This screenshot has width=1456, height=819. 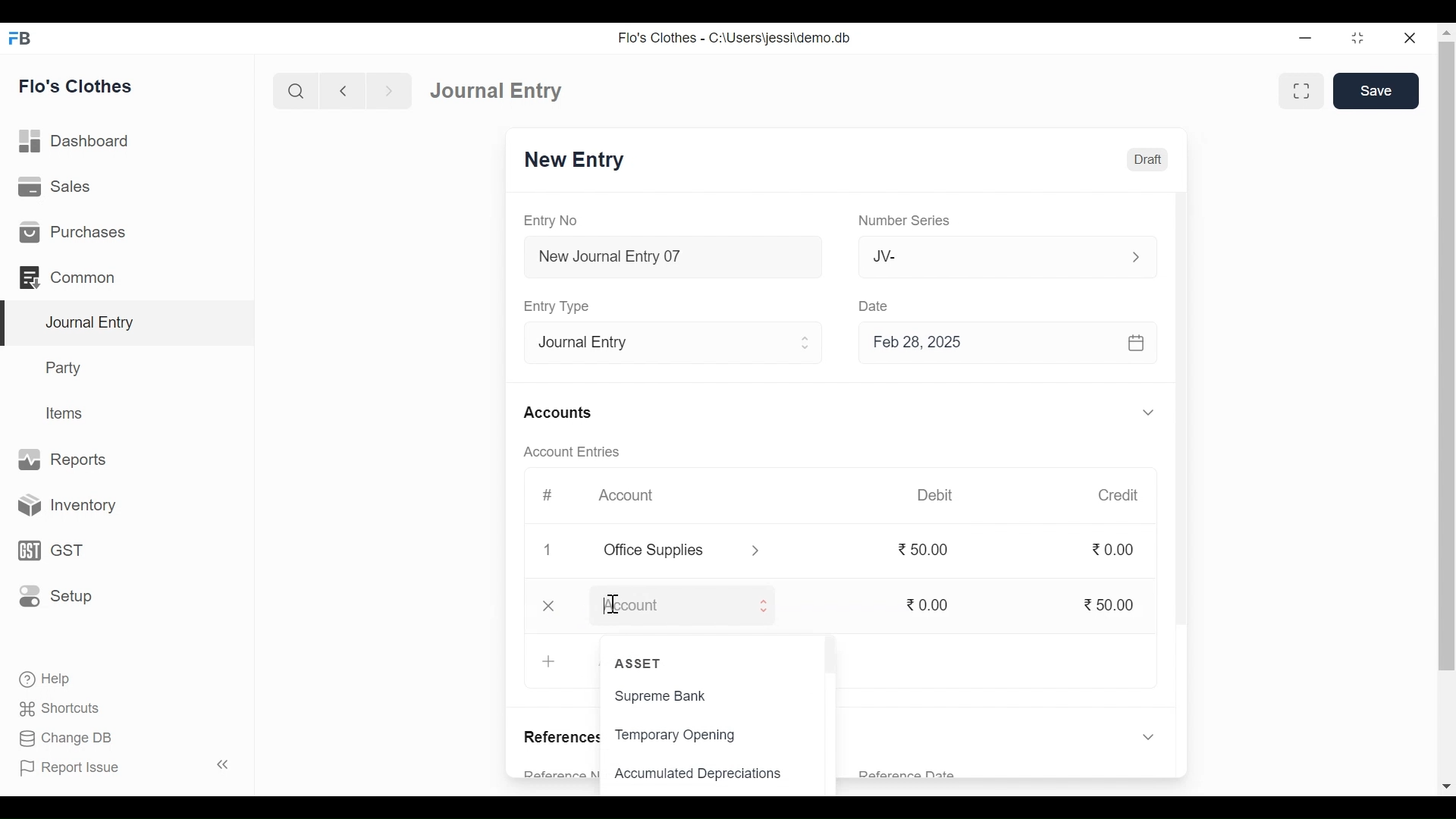 What do you see at coordinates (642, 664) in the screenshot?
I see `ASSET` at bounding box center [642, 664].